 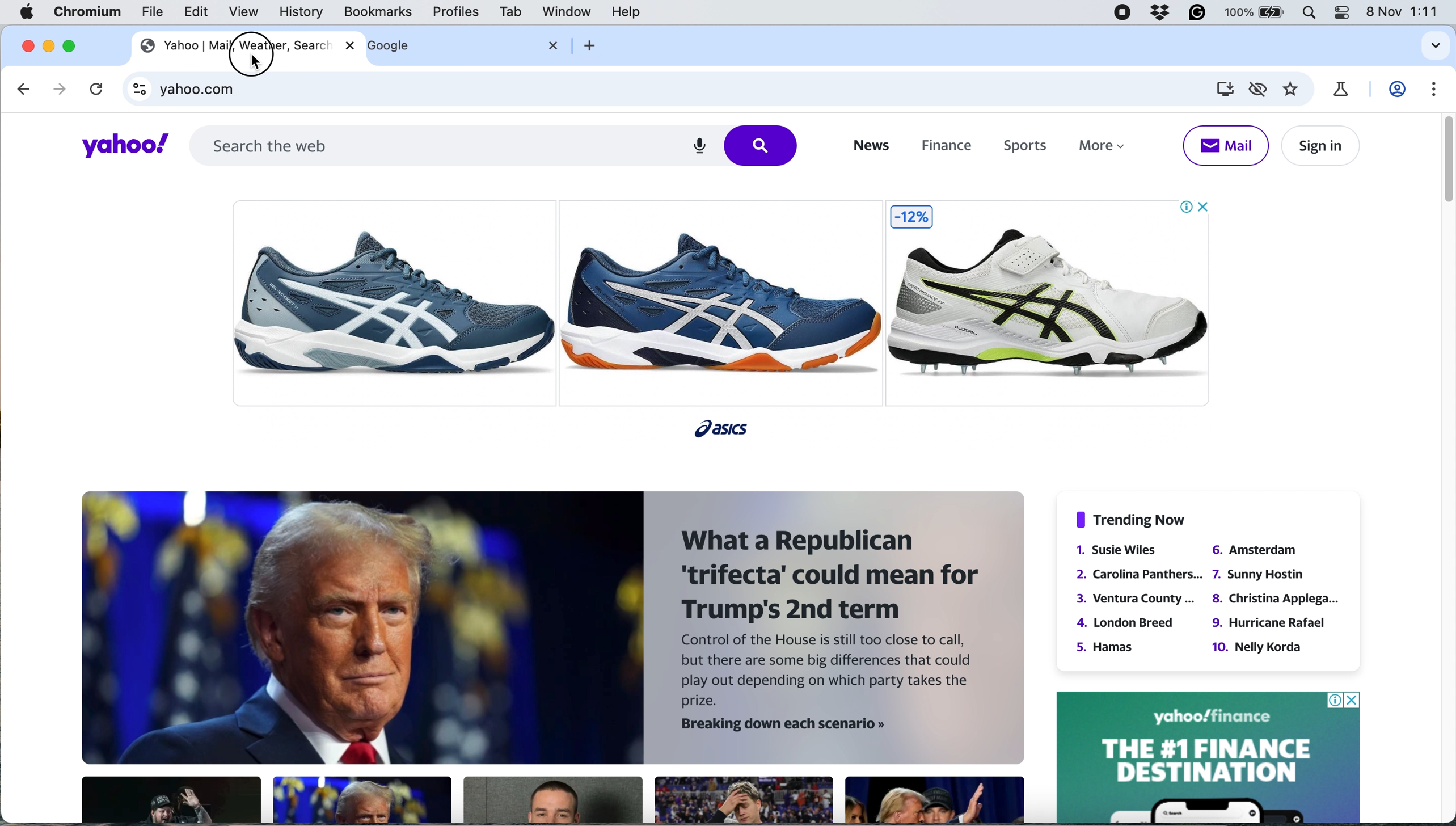 What do you see at coordinates (588, 45) in the screenshot?
I see `add new tab` at bounding box center [588, 45].